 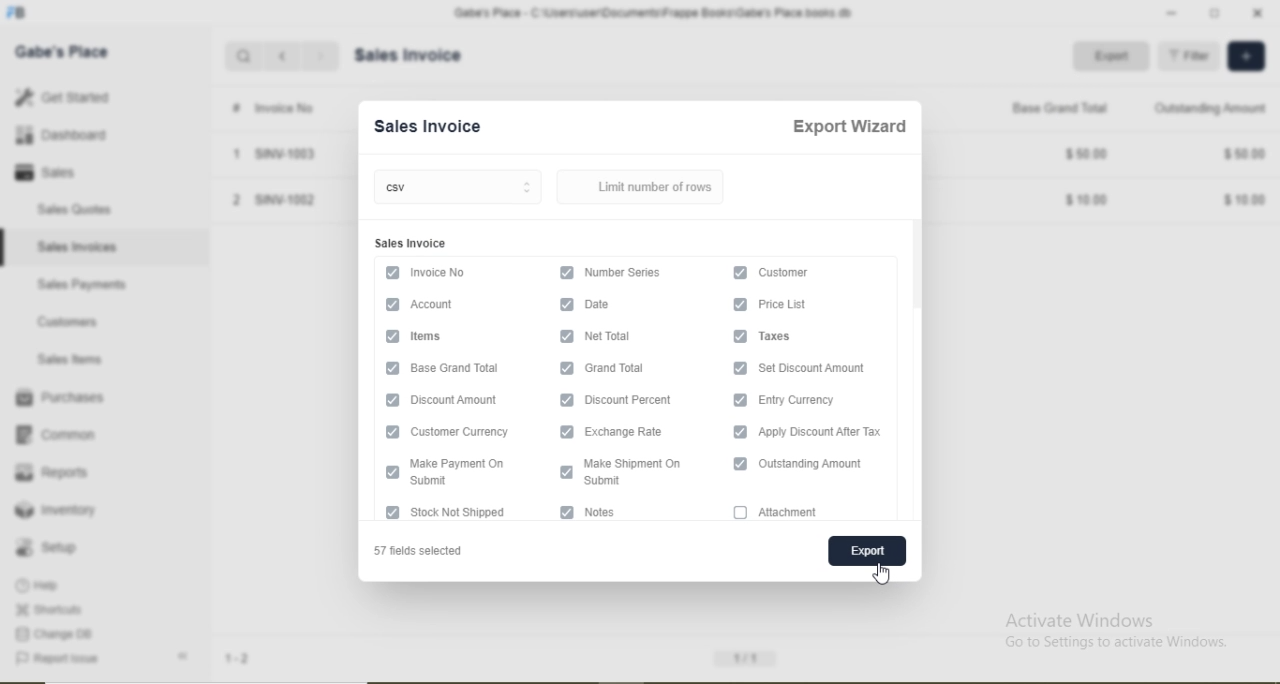 I want to click on = Filter, so click(x=1189, y=57).